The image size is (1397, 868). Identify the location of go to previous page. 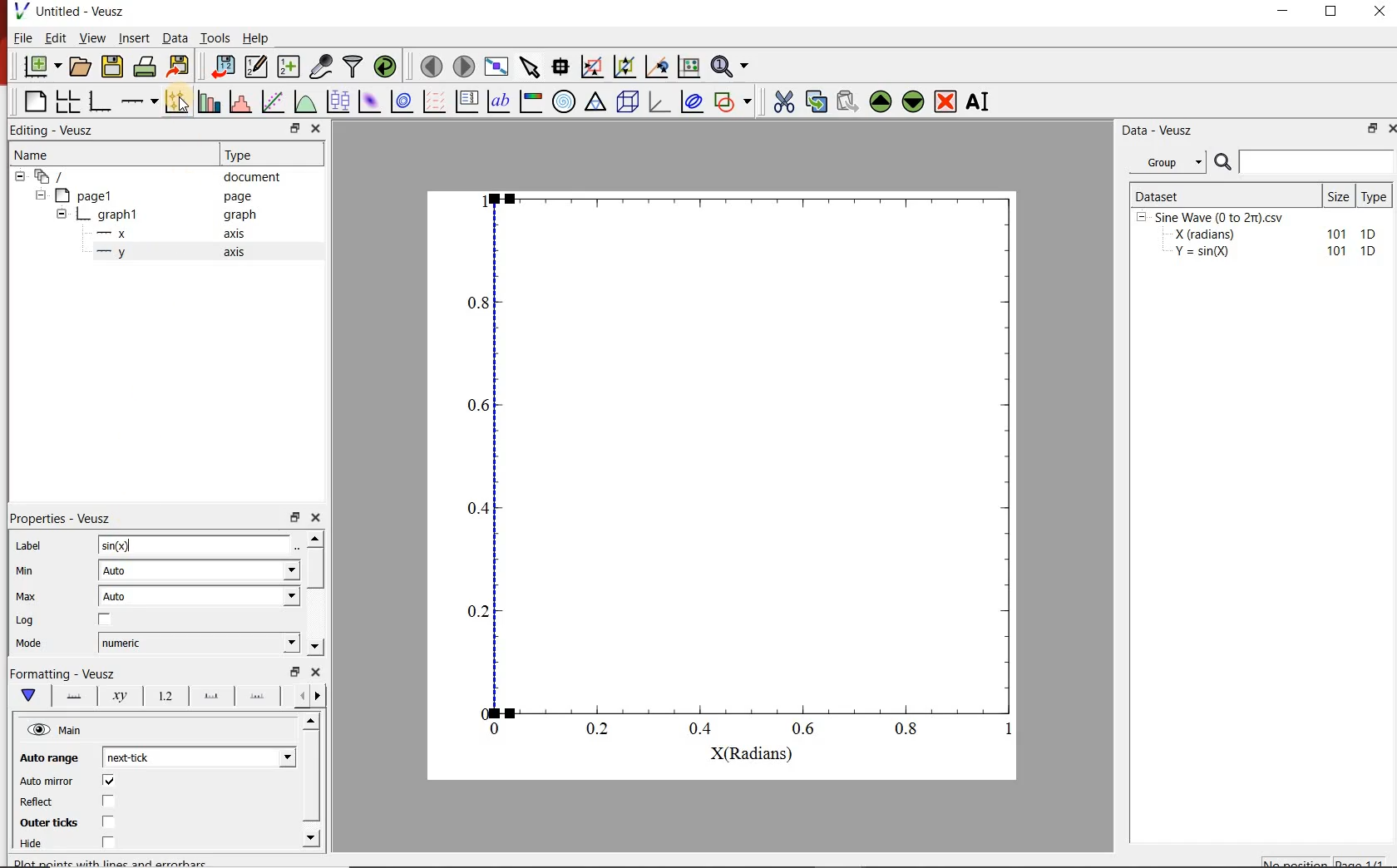
(431, 66).